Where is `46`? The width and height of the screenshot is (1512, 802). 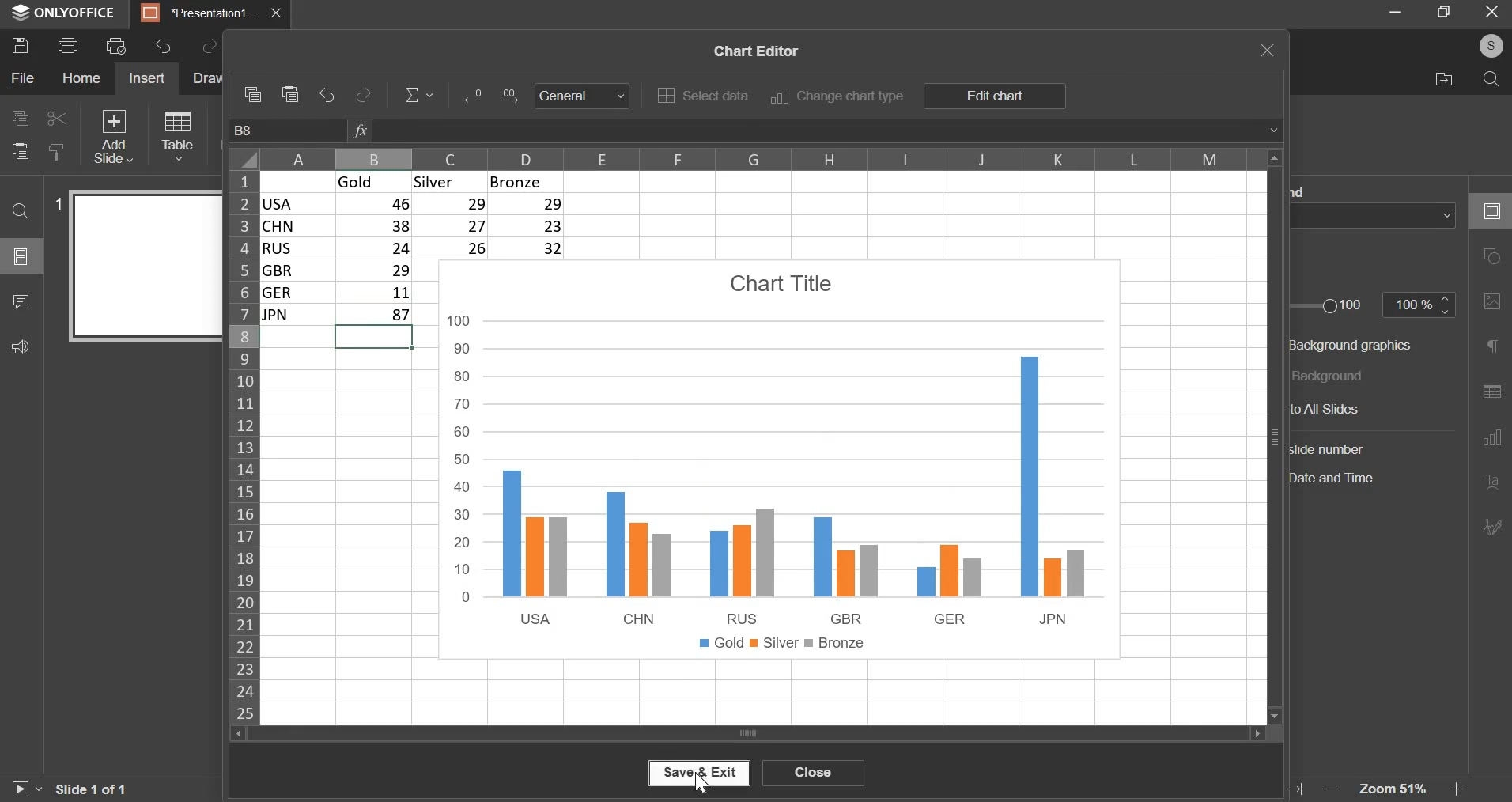 46 is located at coordinates (376, 206).